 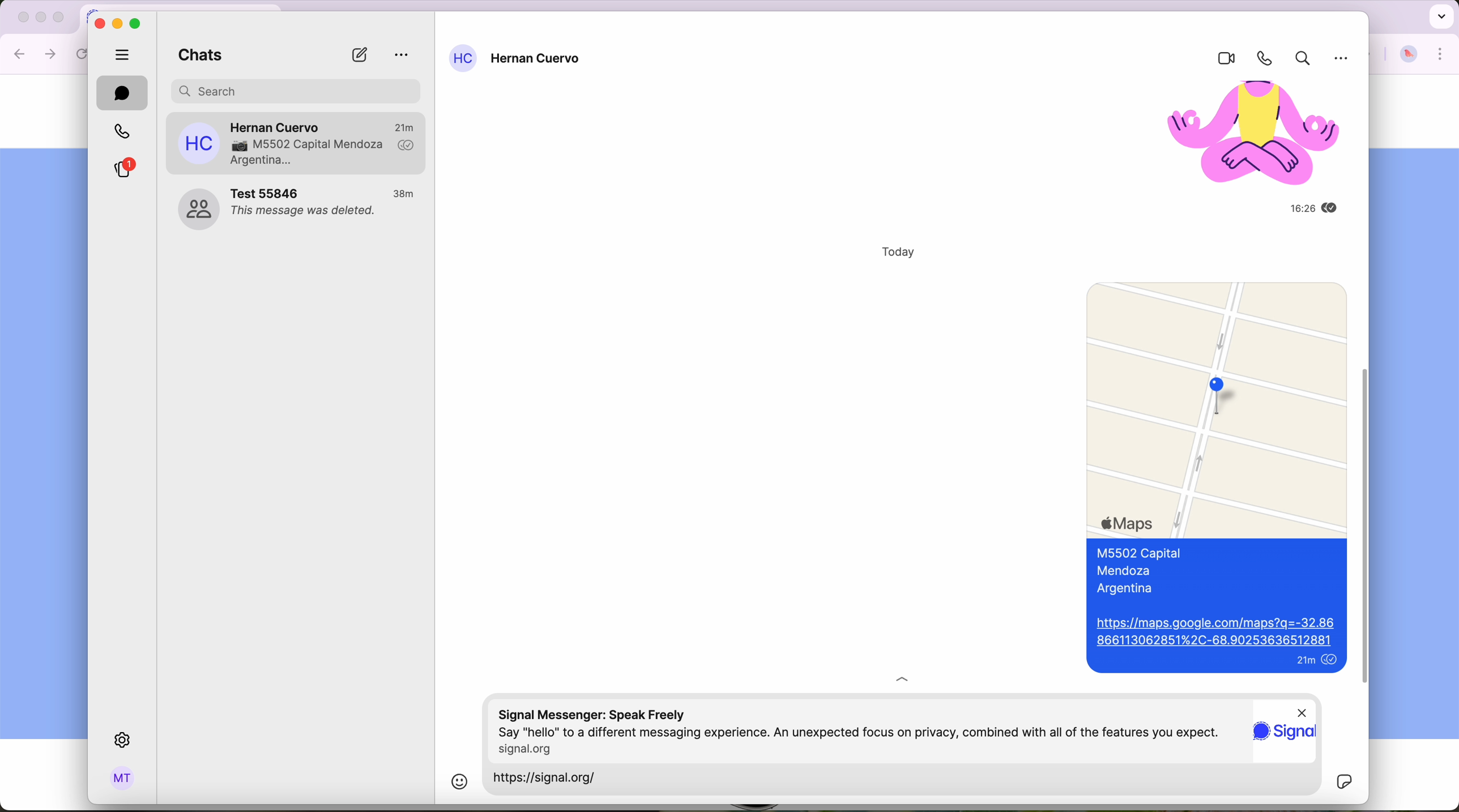 I want to click on calls, so click(x=120, y=132).